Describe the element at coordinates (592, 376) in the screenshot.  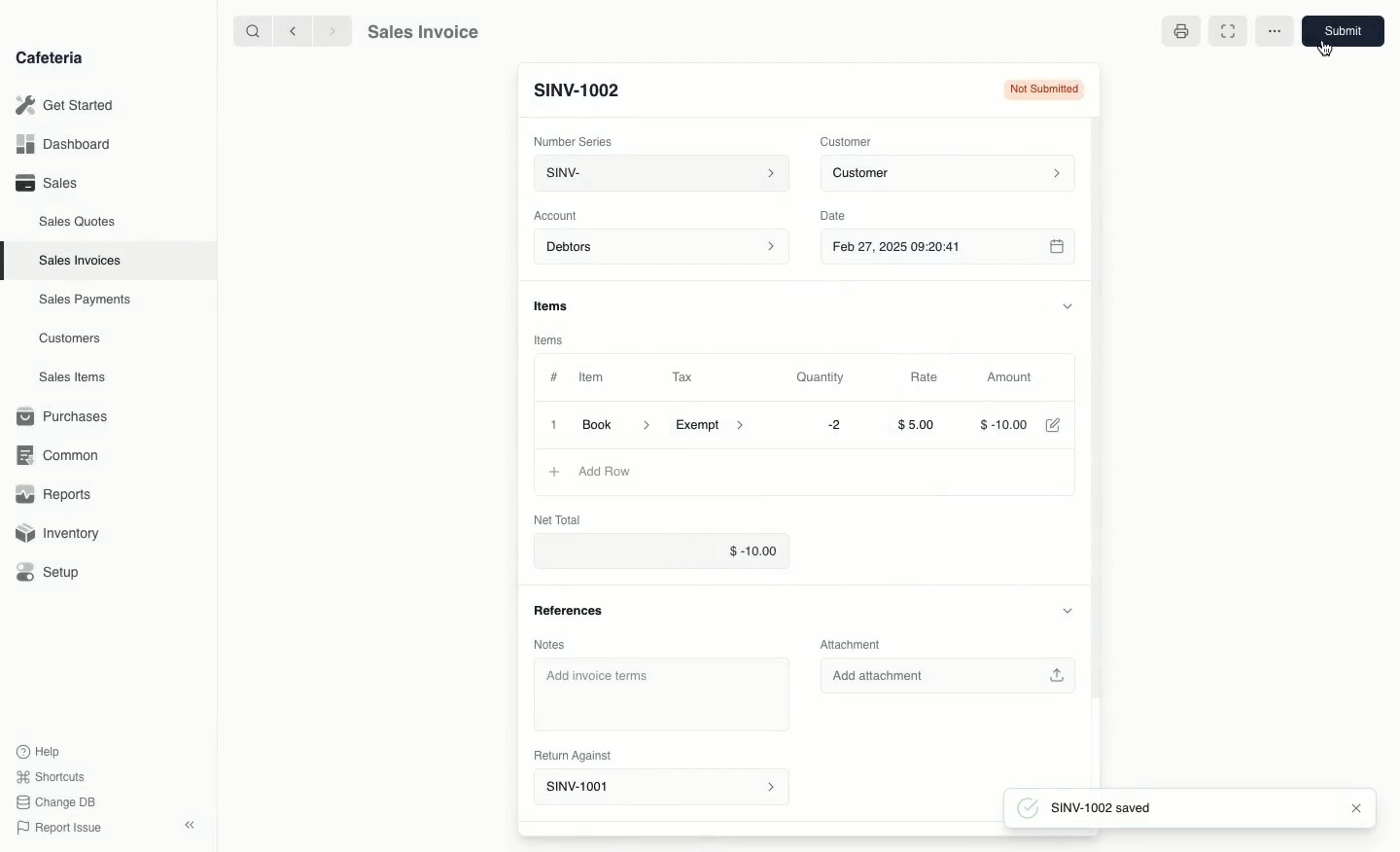
I see `Item` at that location.